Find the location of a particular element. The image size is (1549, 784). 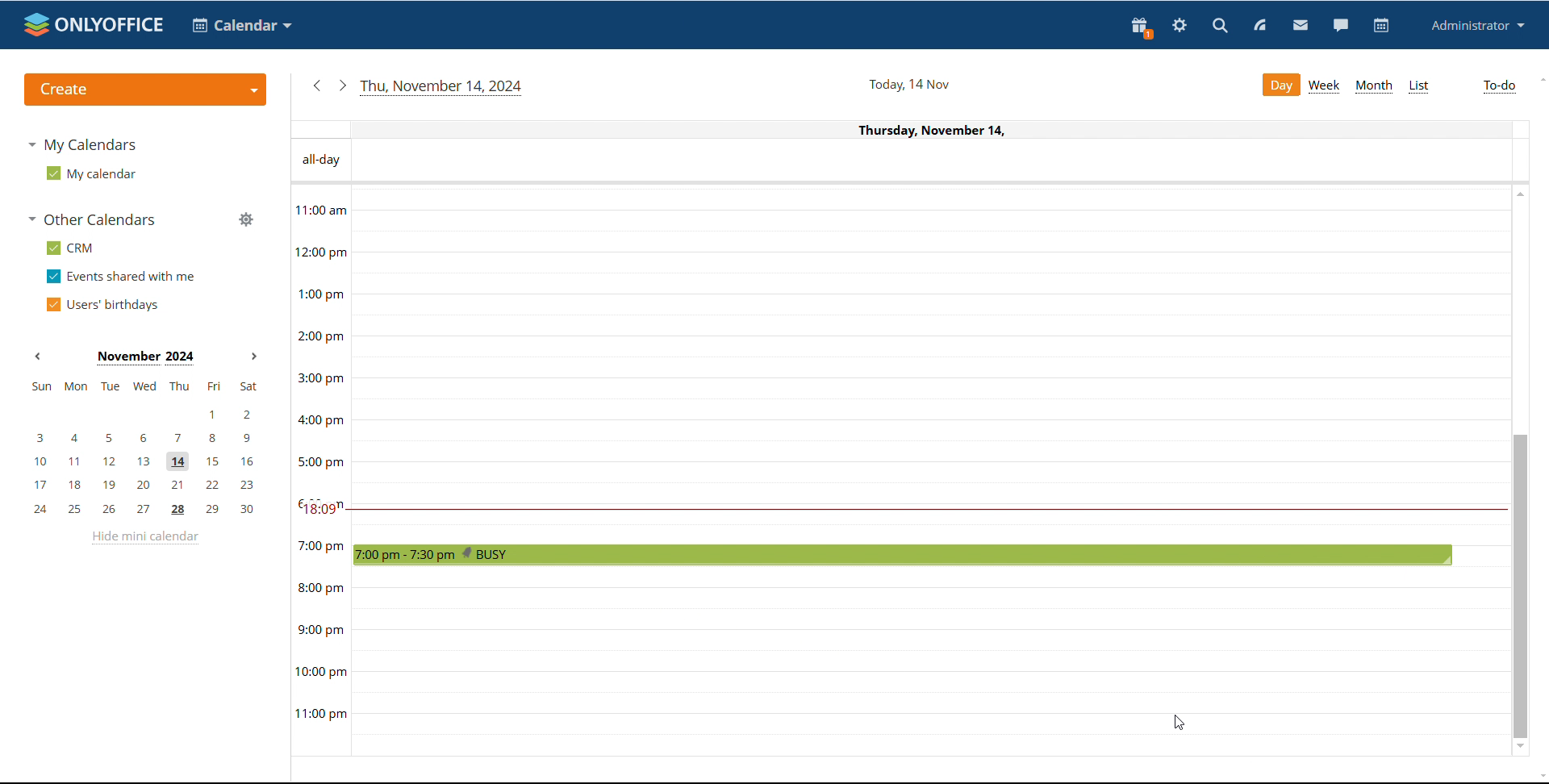

events shared with me is located at coordinates (119, 277).